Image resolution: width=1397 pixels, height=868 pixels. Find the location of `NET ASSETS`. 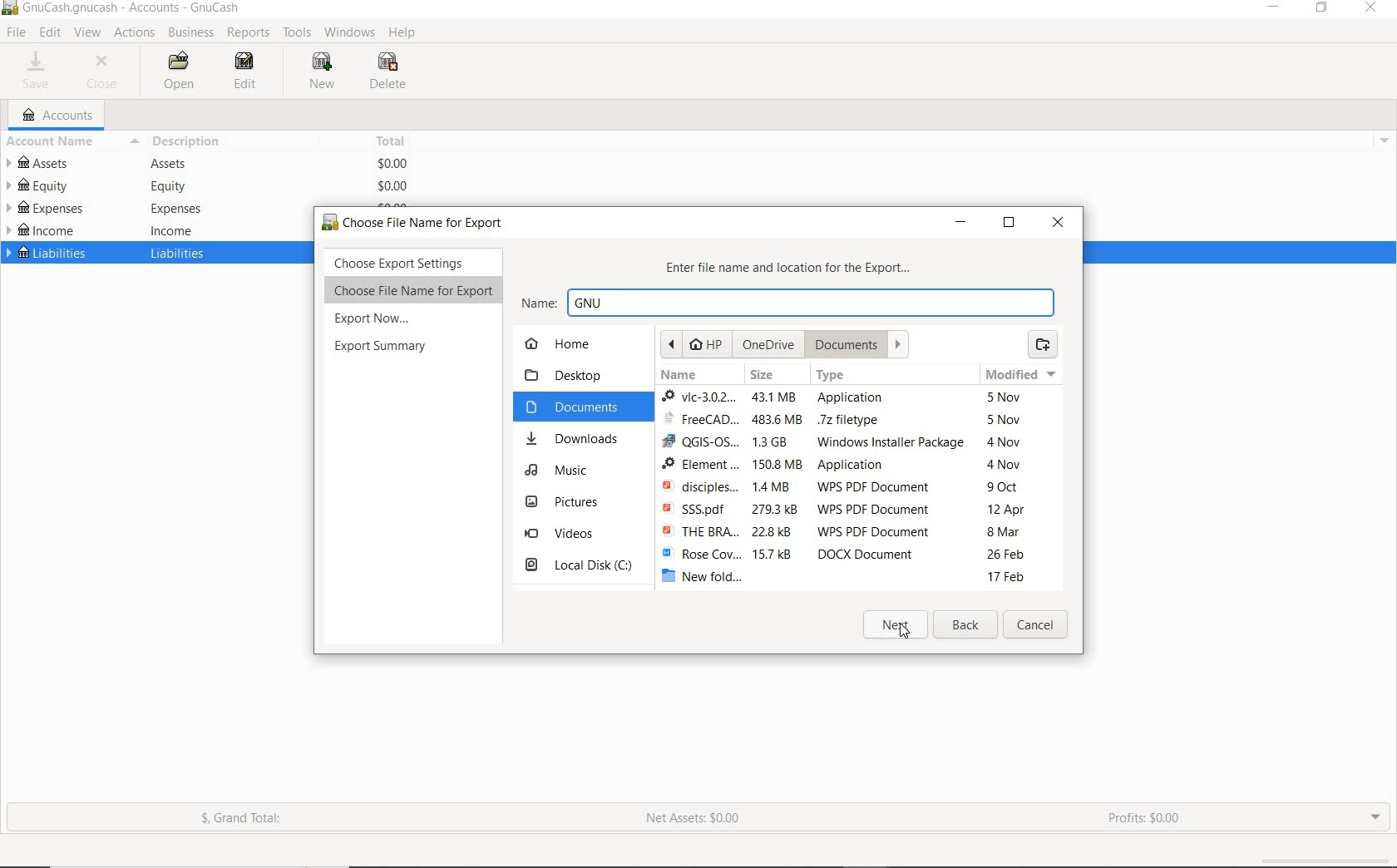

NET ASSETS is located at coordinates (697, 821).